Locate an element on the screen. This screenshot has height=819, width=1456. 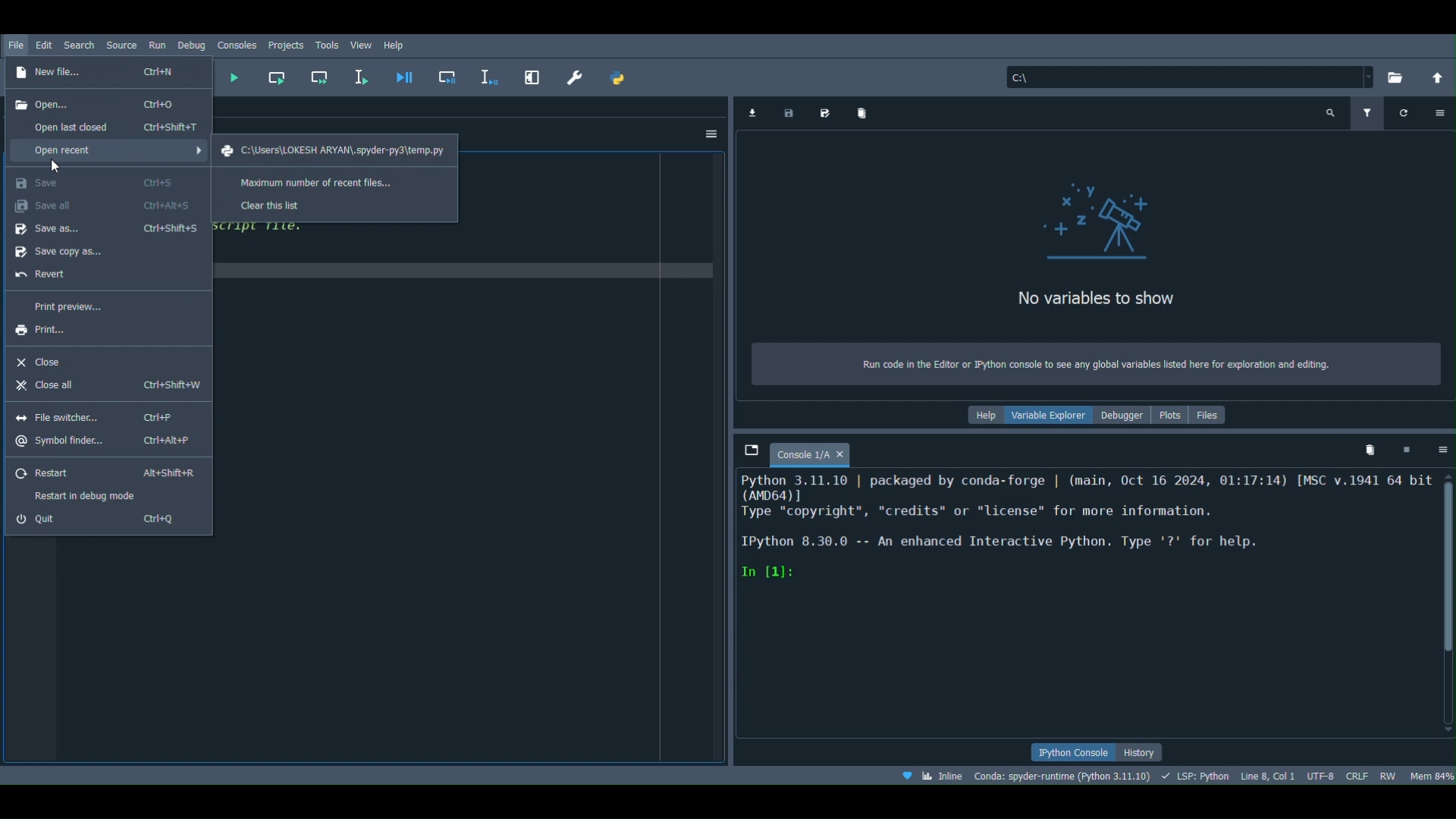
Run is located at coordinates (155, 45).